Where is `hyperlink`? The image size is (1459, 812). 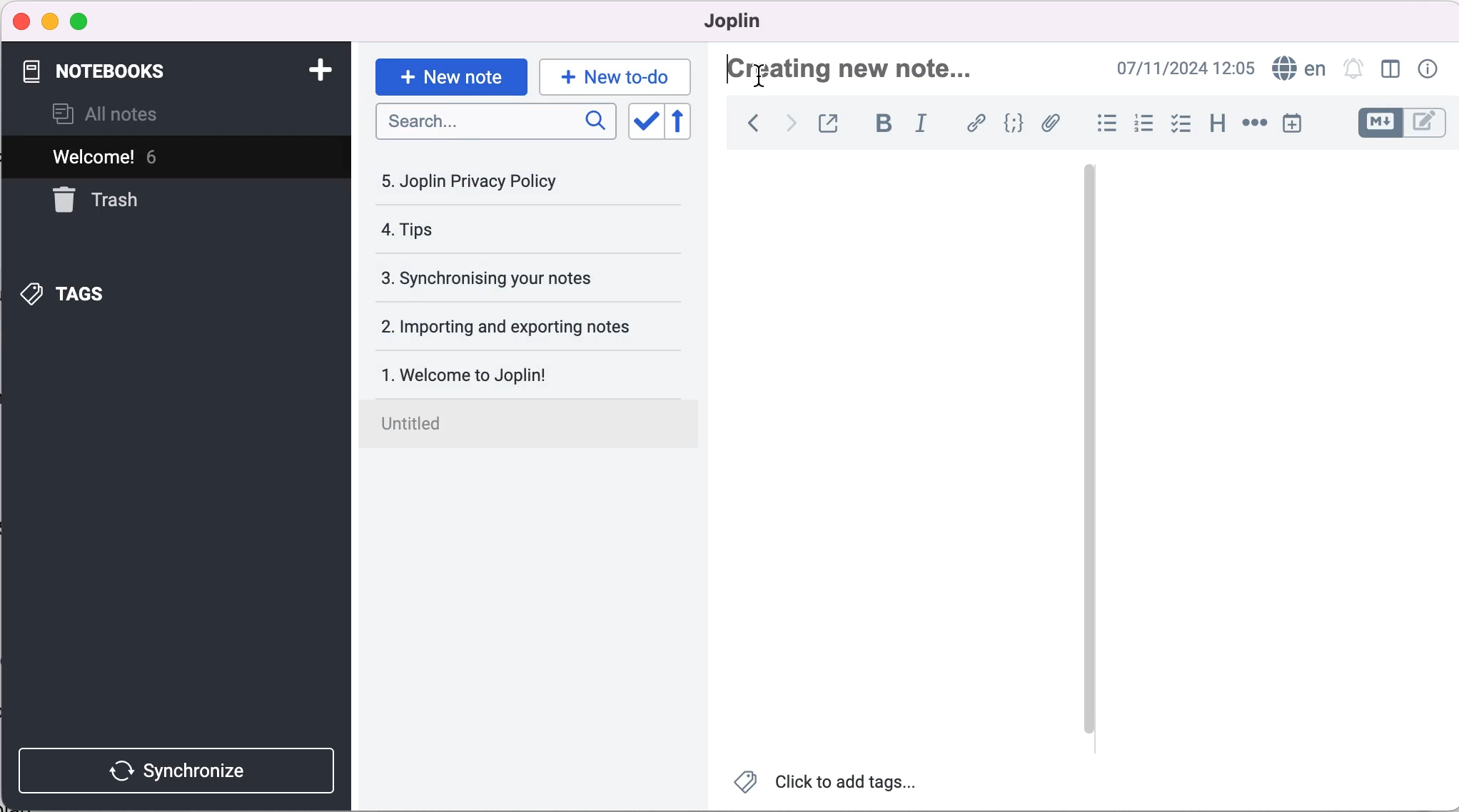 hyperlink is located at coordinates (972, 123).